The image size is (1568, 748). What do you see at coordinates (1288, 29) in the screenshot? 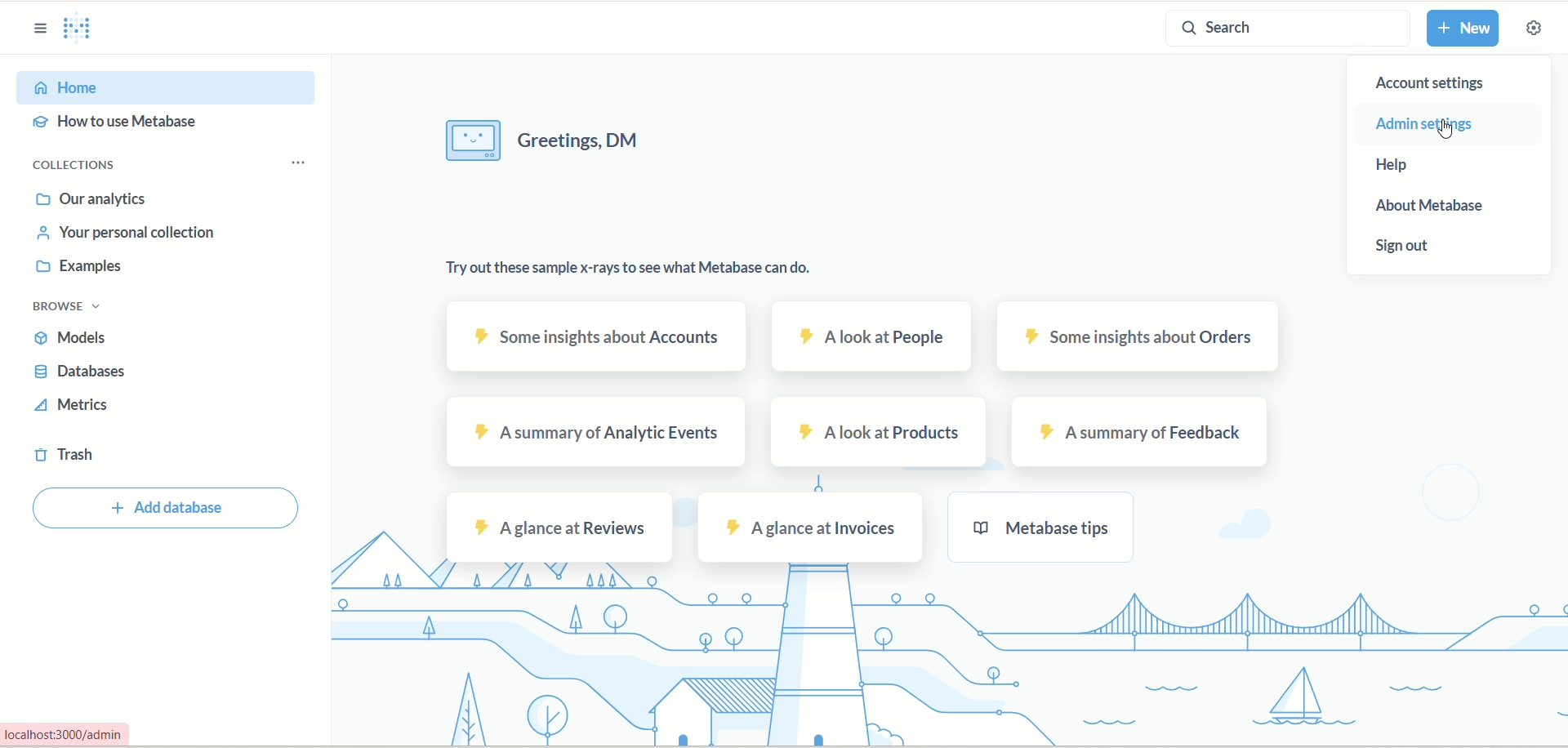
I see `search` at bounding box center [1288, 29].